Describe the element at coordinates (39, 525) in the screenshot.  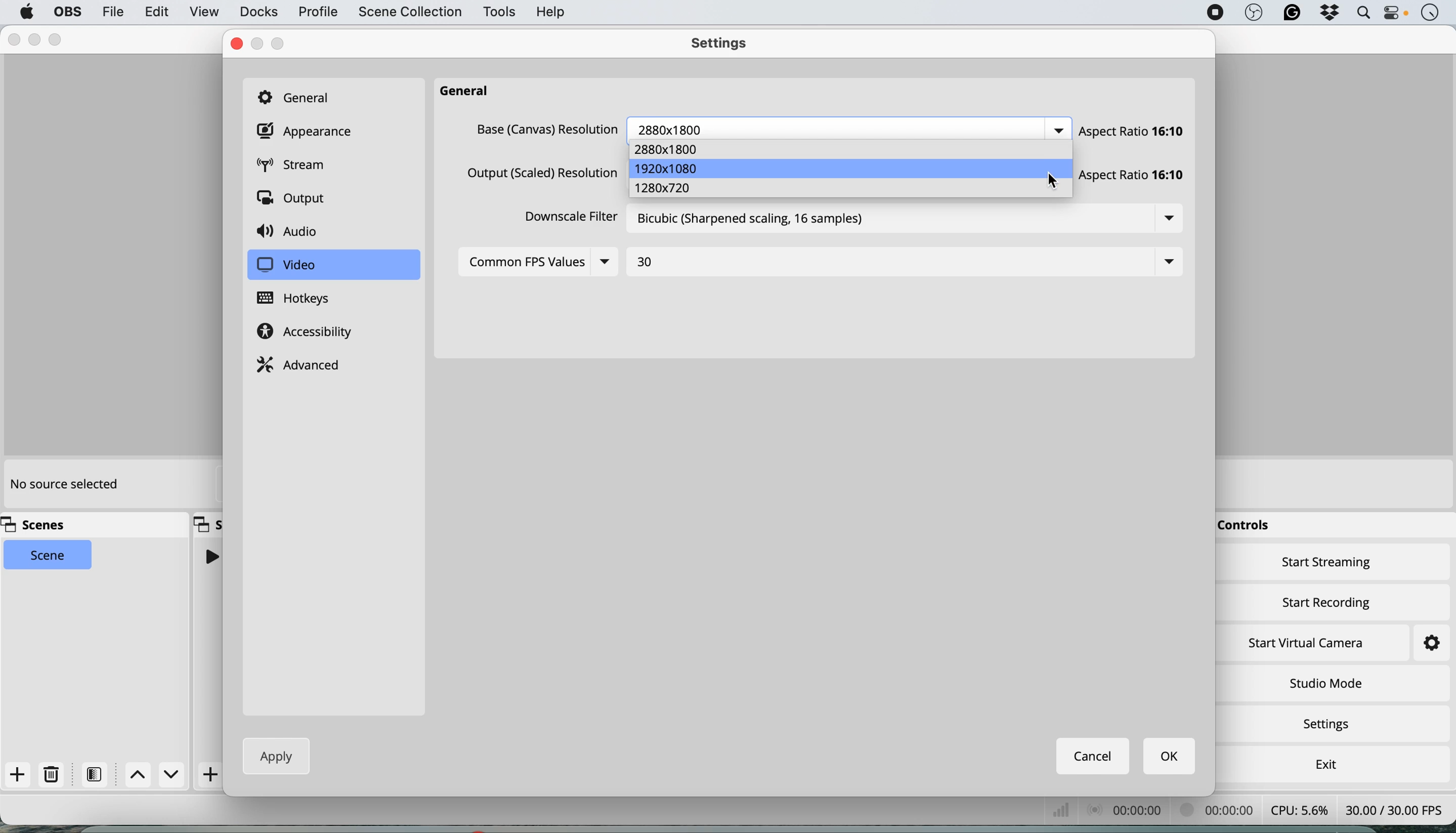
I see `scenes` at that location.